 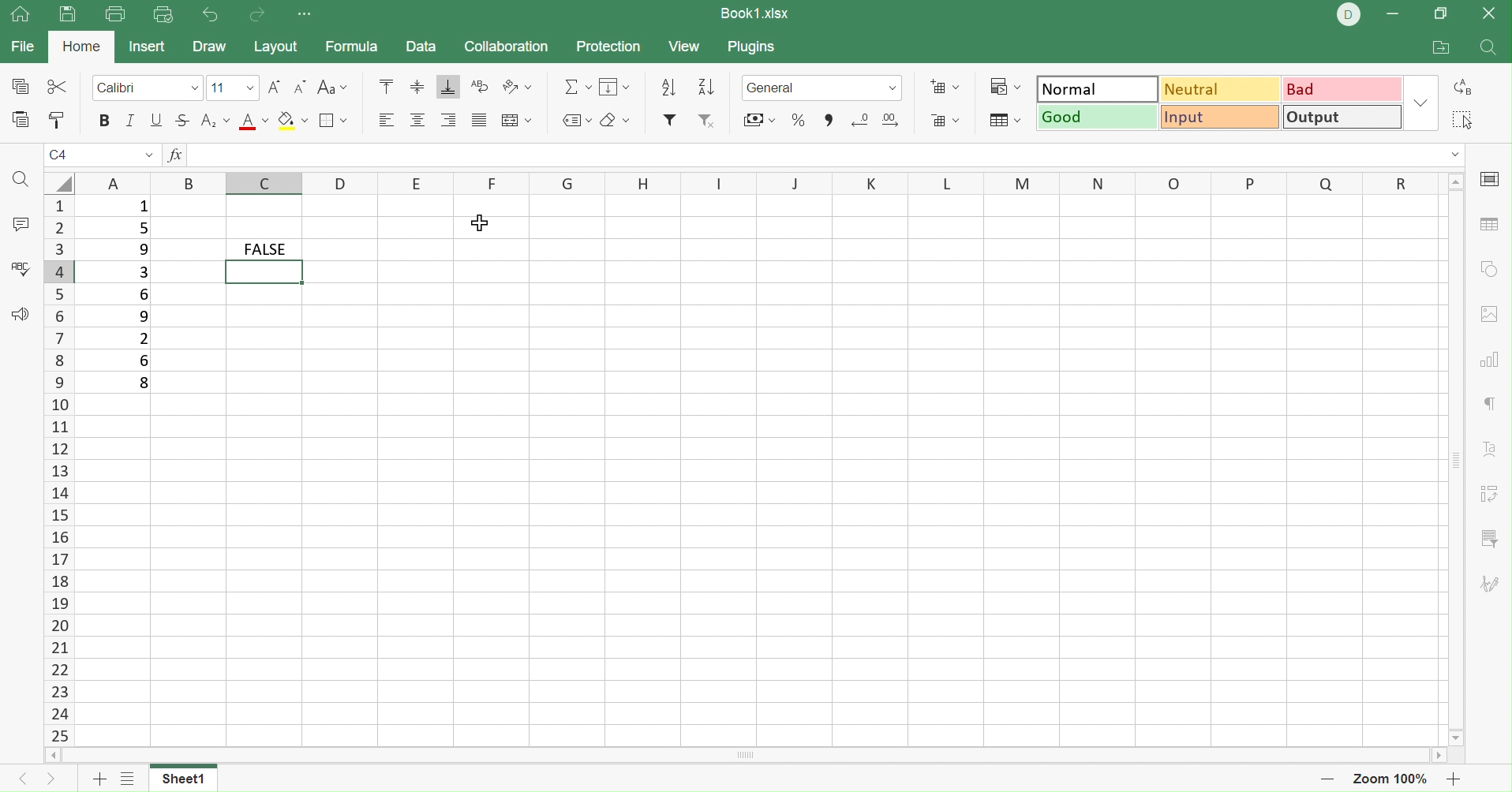 What do you see at coordinates (22, 181) in the screenshot?
I see `Find` at bounding box center [22, 181].